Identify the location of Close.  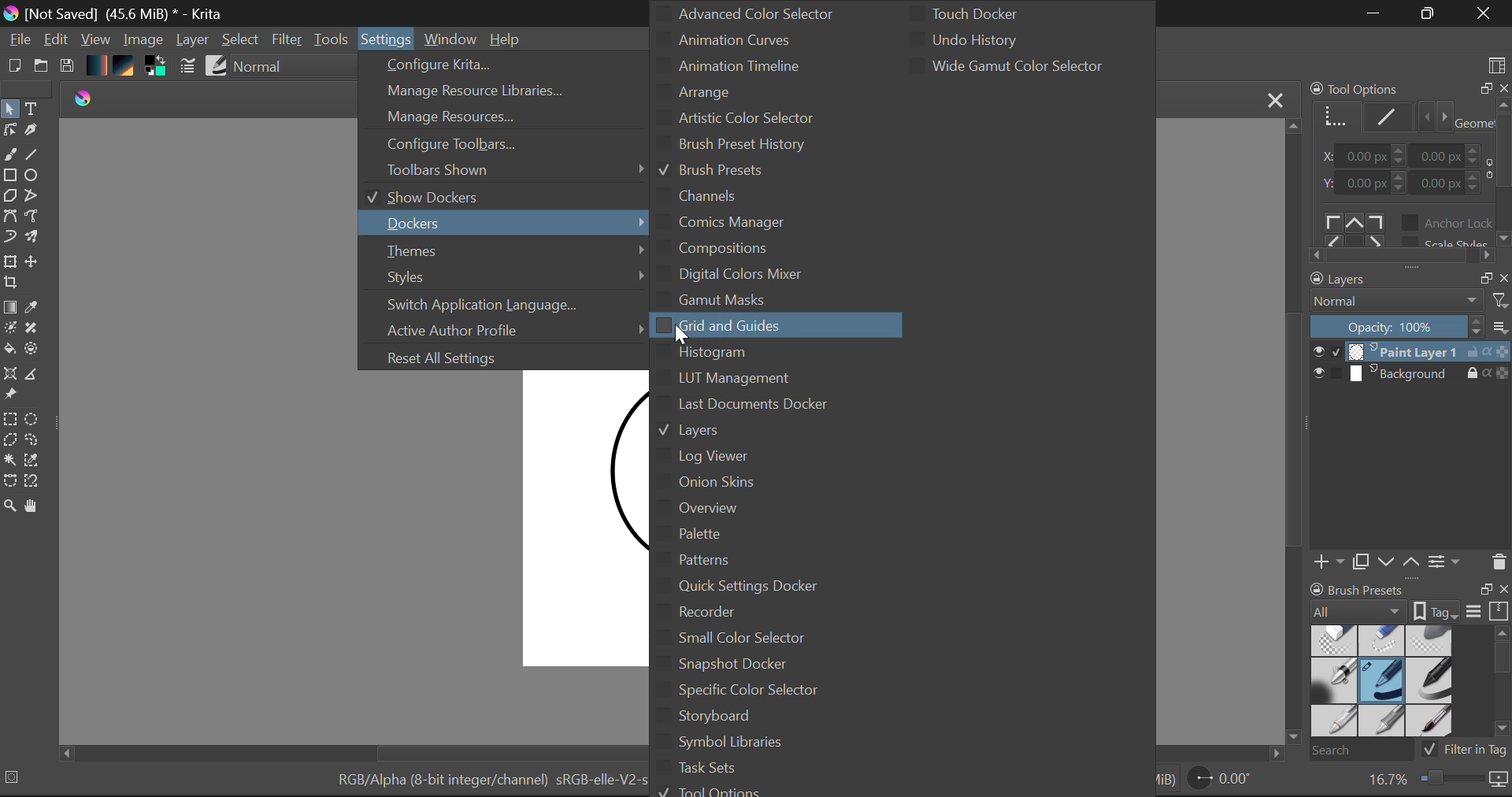
(1487, 13).